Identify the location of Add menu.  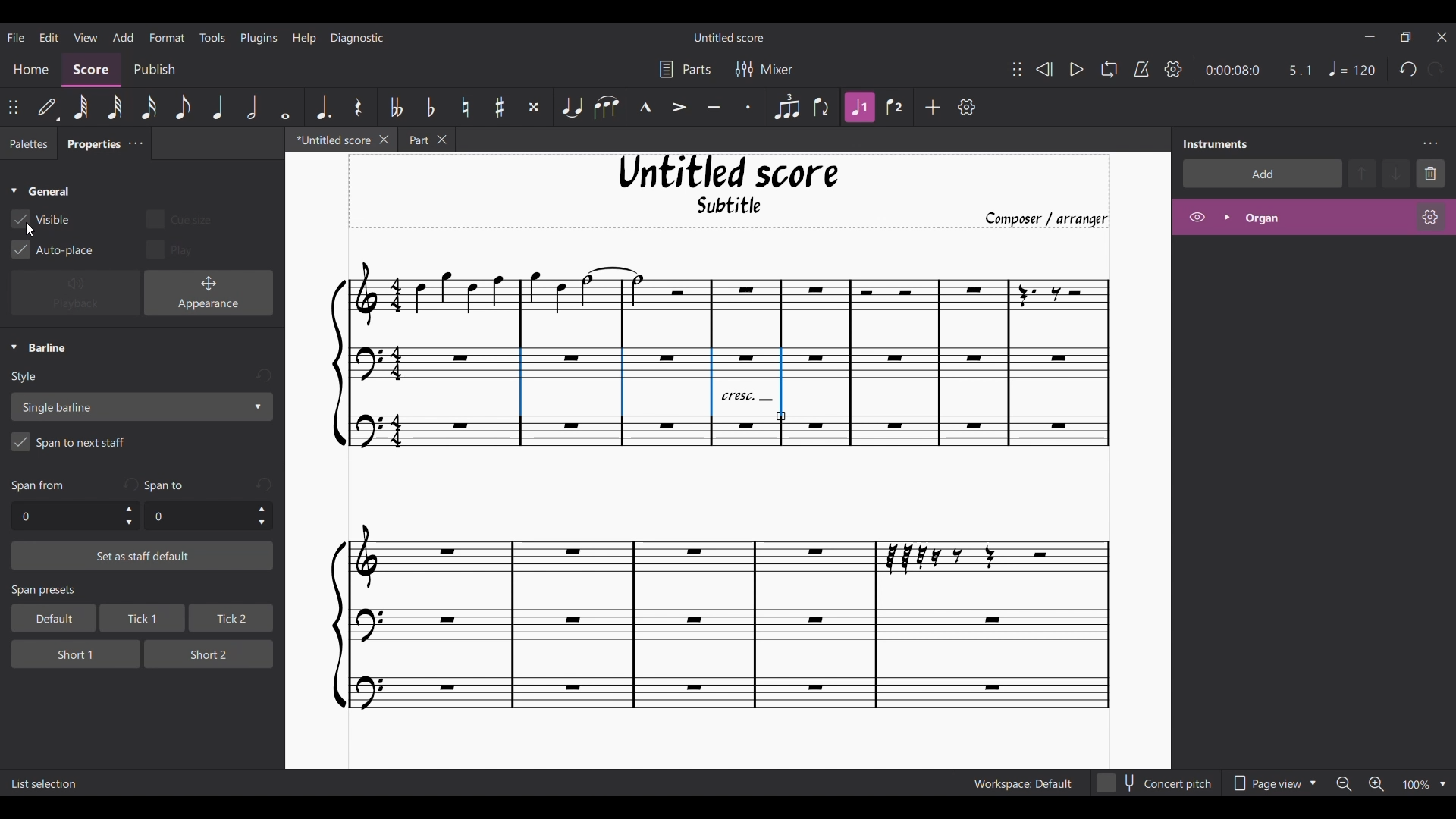
(123, 36).